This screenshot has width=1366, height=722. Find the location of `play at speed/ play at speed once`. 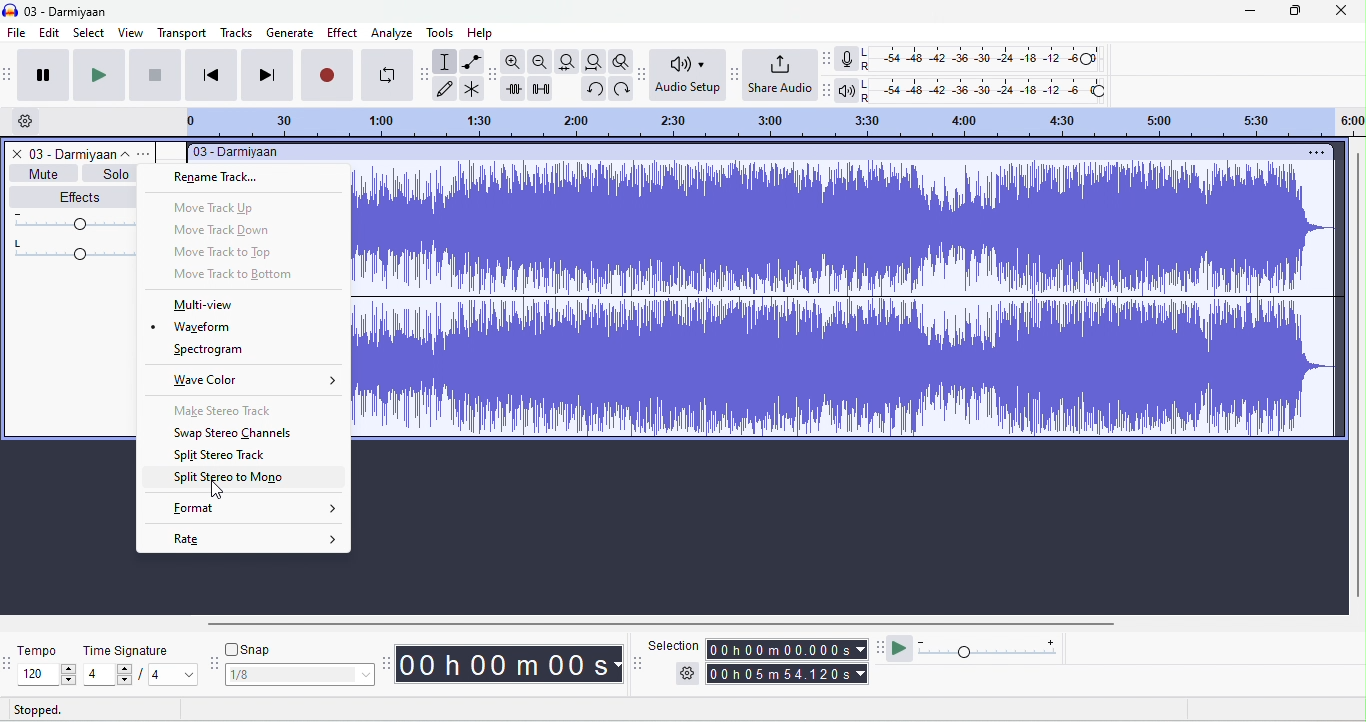

play at speed/ play at speed once is located at coordinates (901, 647).